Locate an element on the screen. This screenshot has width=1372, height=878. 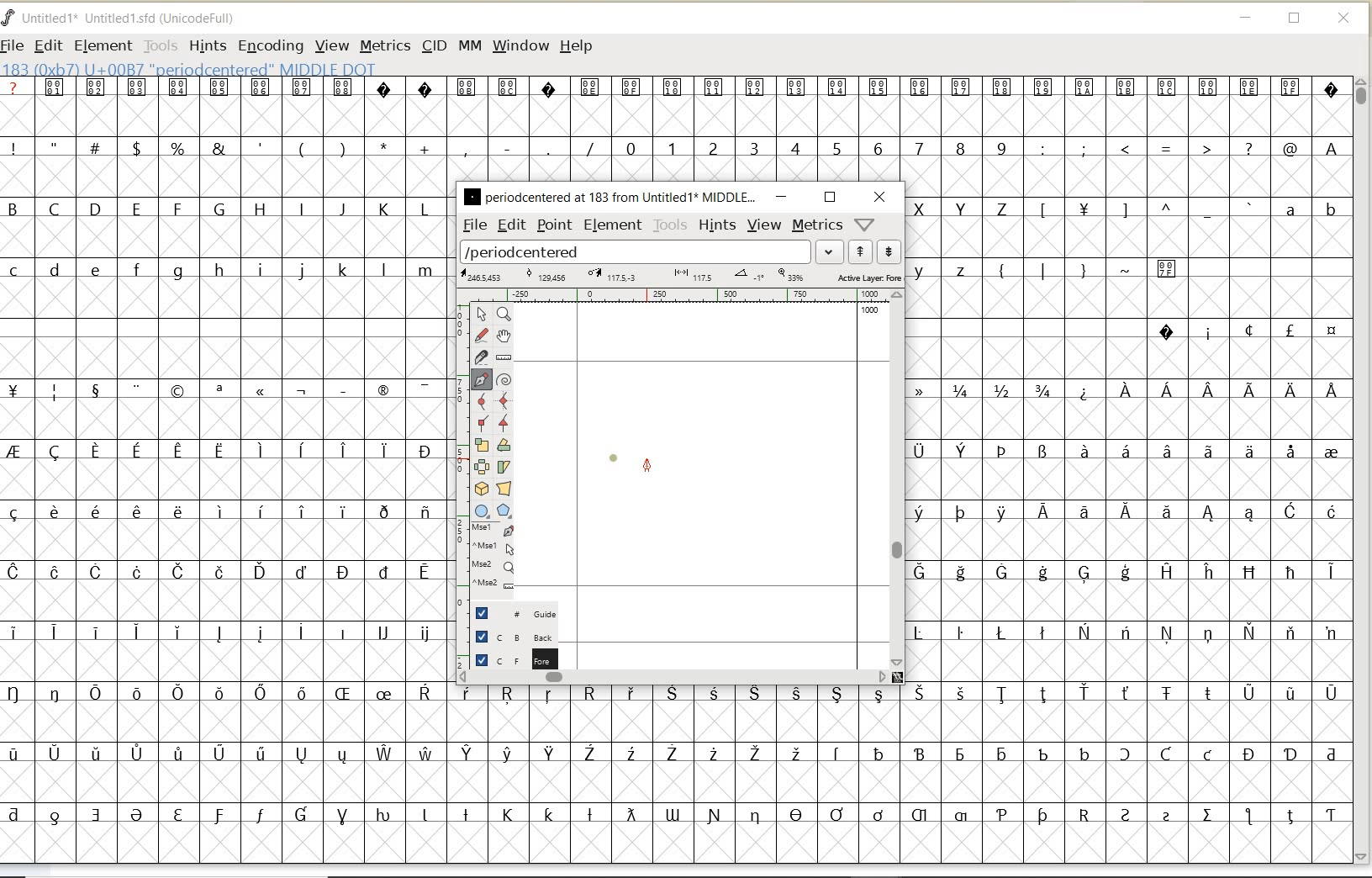
background is located at coordinates (509, 637).